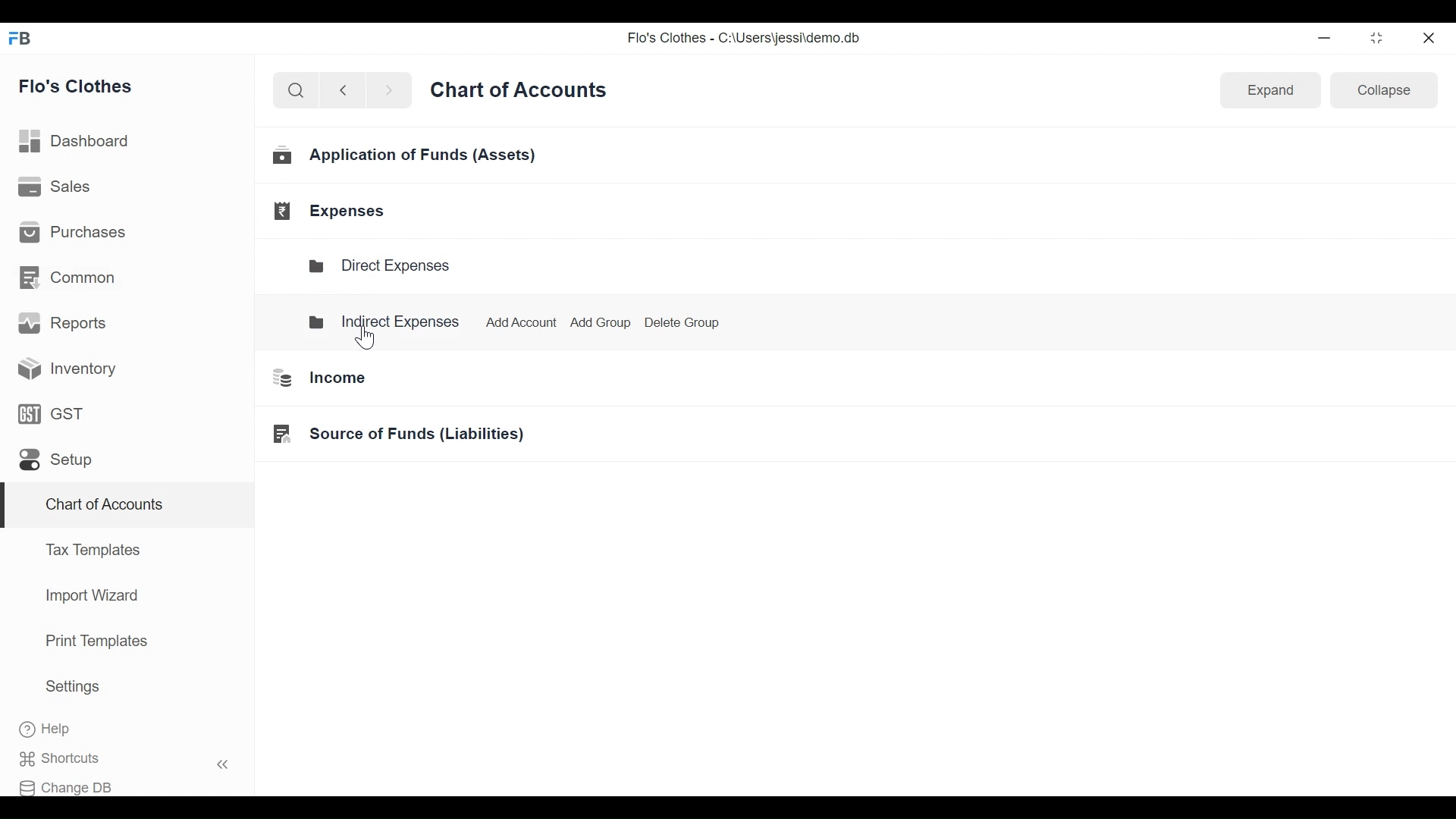 The image size is (1456, 819). What do you see at coordinates (682, 322) in the screenshot?
I see `Delete Group` at bounding box center [682, 322].